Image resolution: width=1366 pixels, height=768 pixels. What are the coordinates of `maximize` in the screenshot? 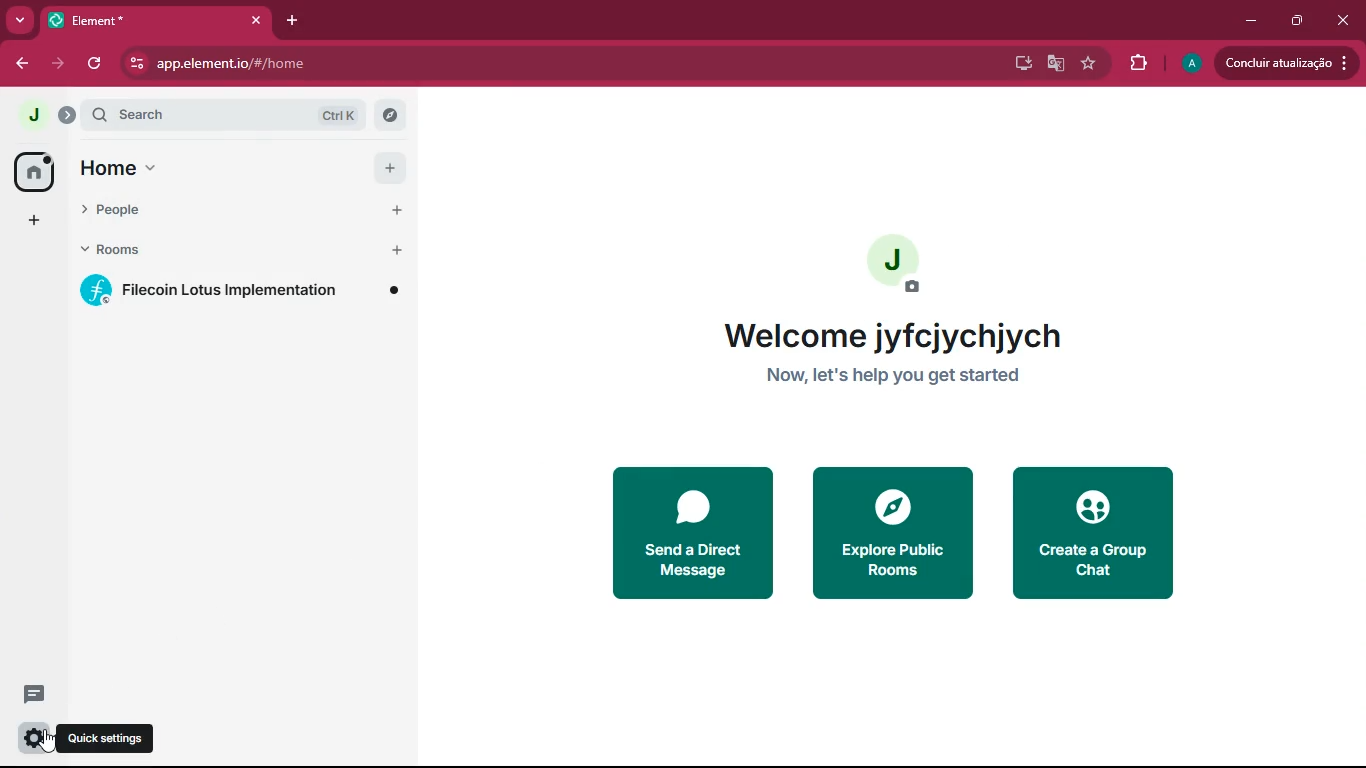 It's located at (1295, 19).